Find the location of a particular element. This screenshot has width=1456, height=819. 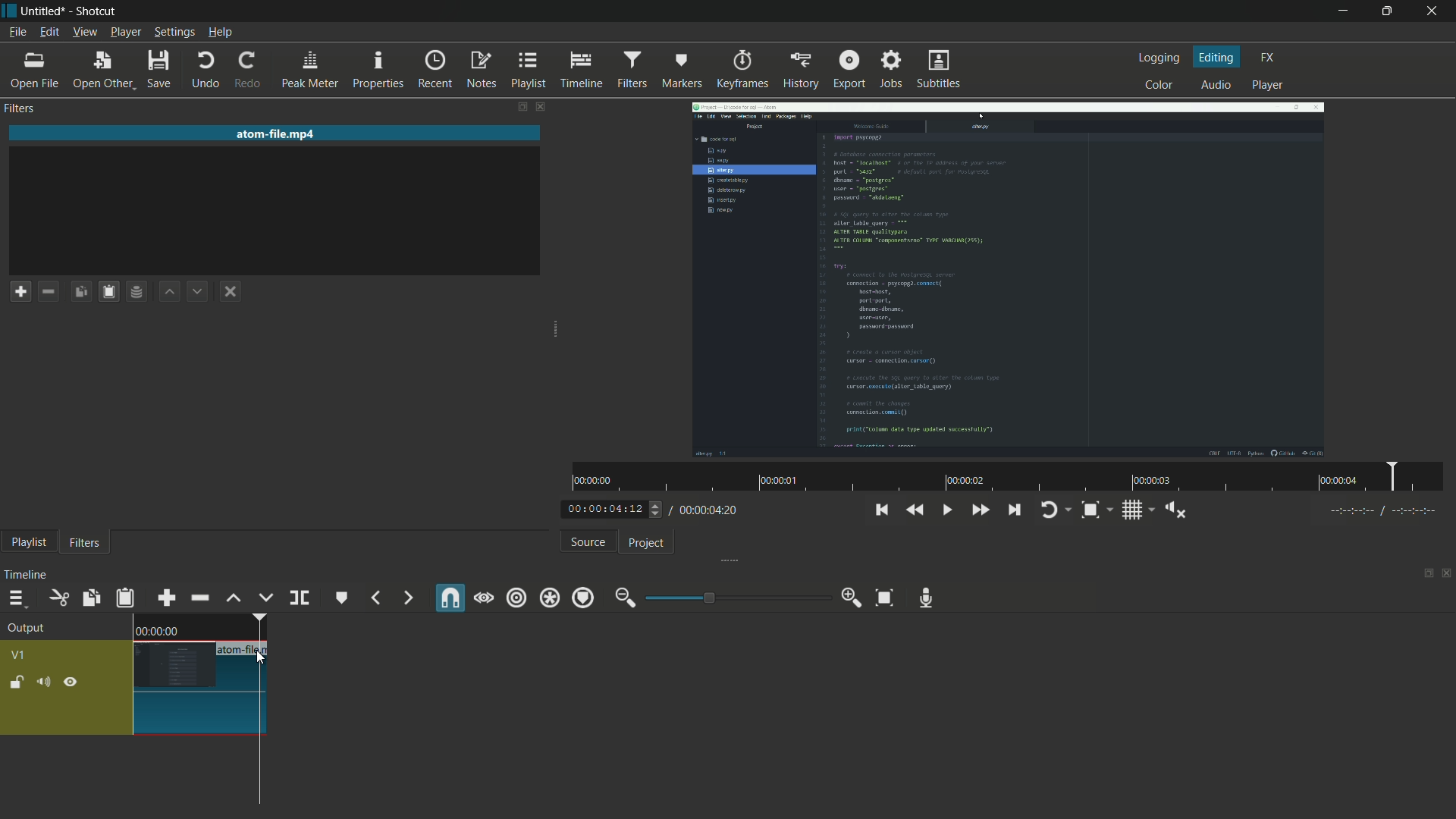

skip to the previous point is located at coordinates (884, 510).